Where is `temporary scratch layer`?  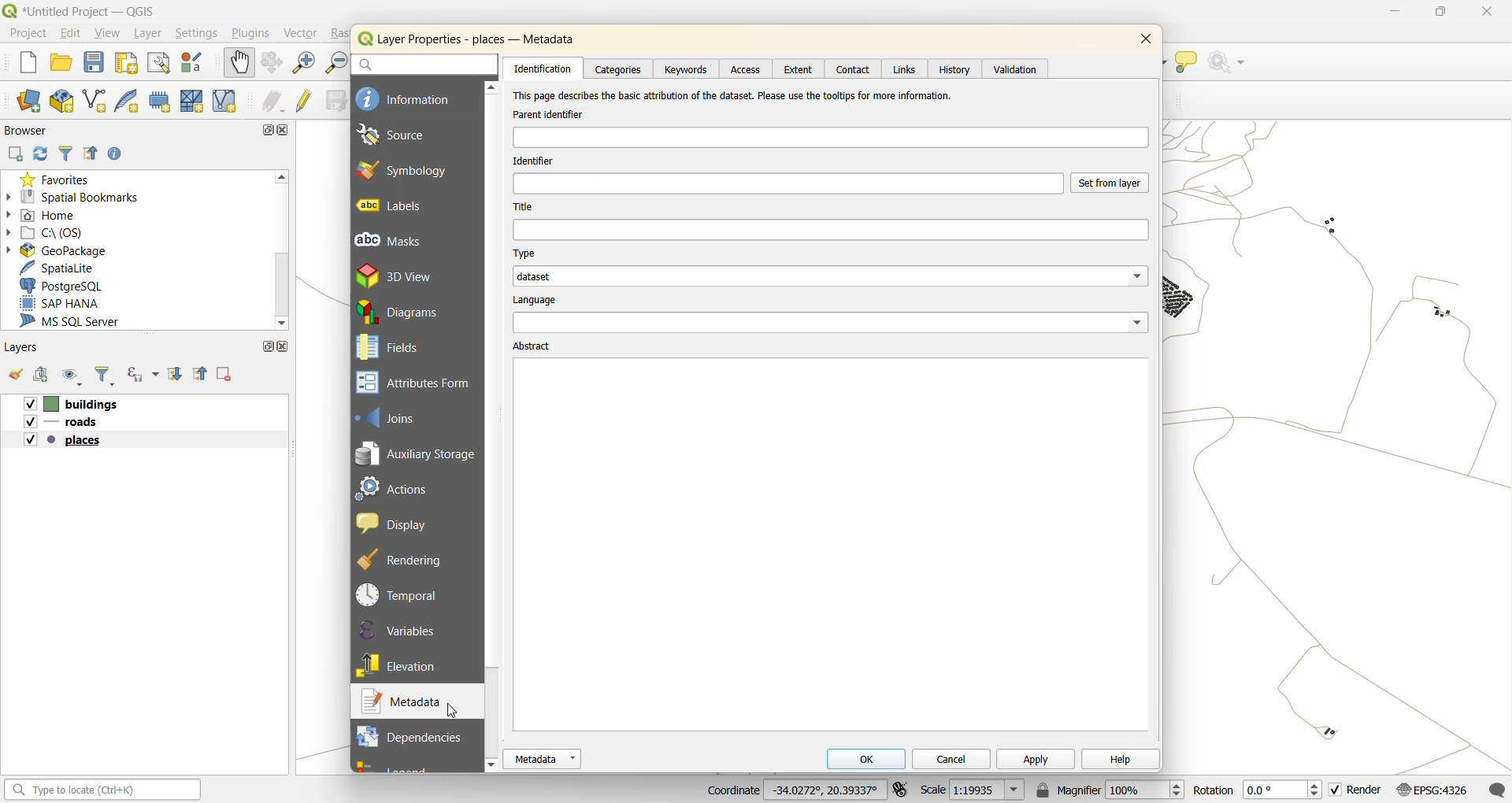 temporary scratch layer is located at coordinates (161, 101).